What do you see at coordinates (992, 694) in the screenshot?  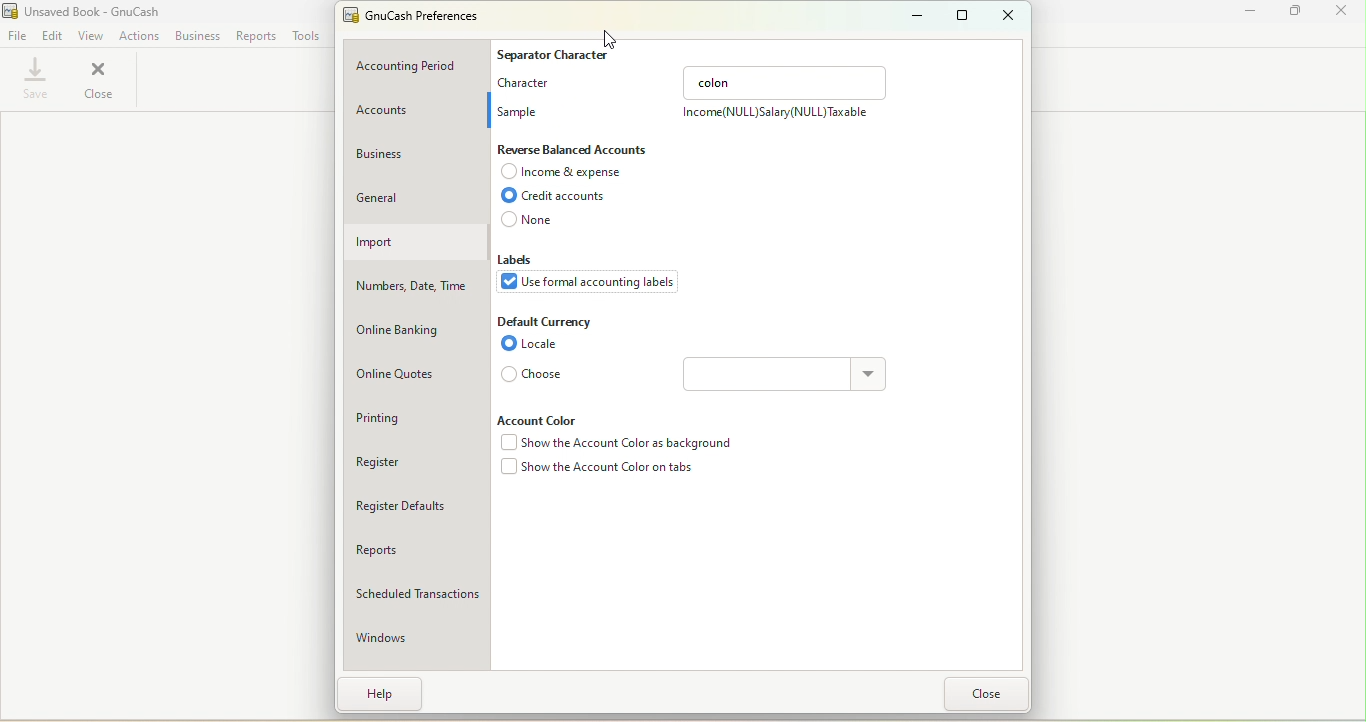 I see `Close` at bounding box center [992, 694].